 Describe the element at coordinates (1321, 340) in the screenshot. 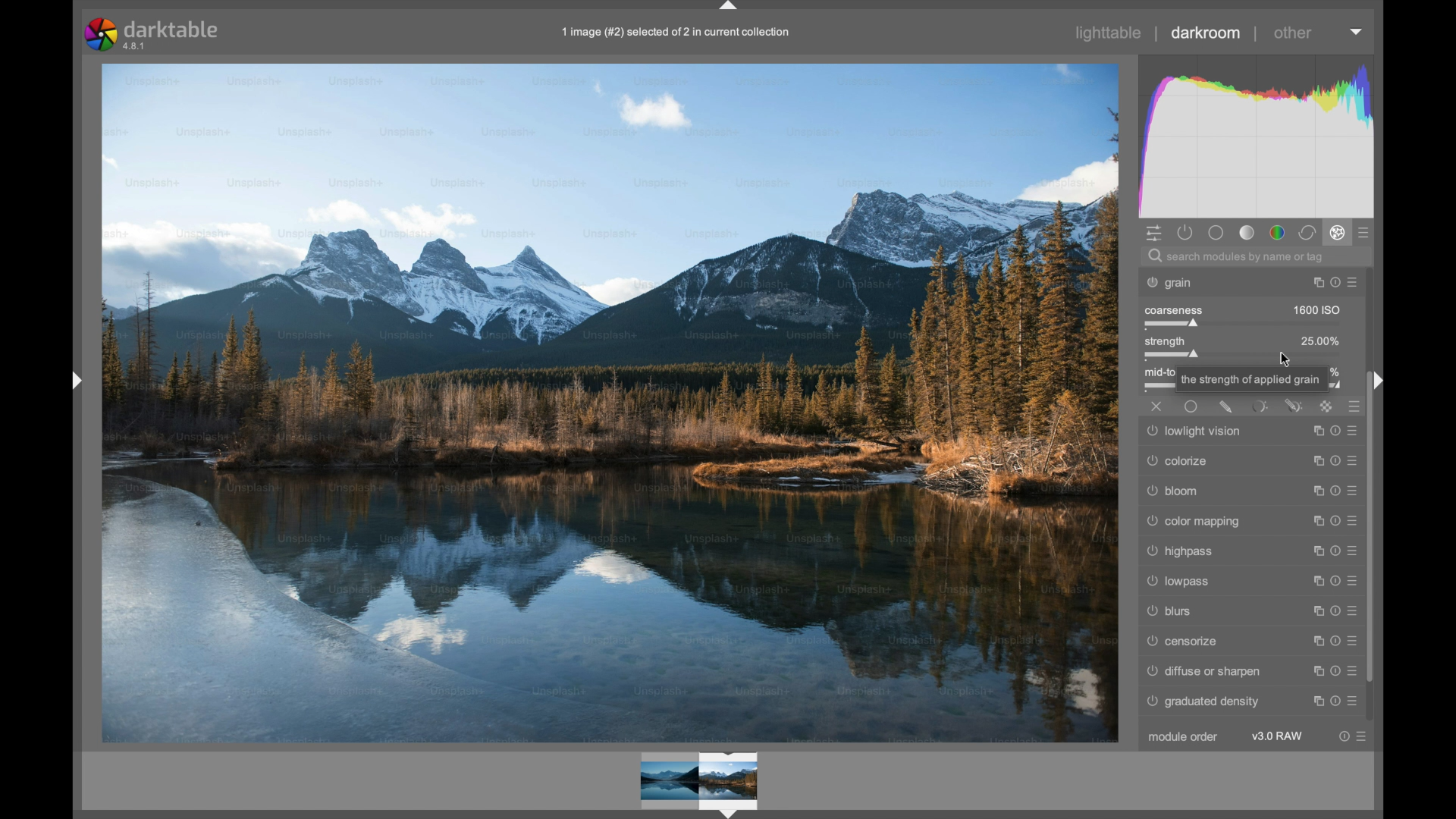

I see `25.00%` at that location.